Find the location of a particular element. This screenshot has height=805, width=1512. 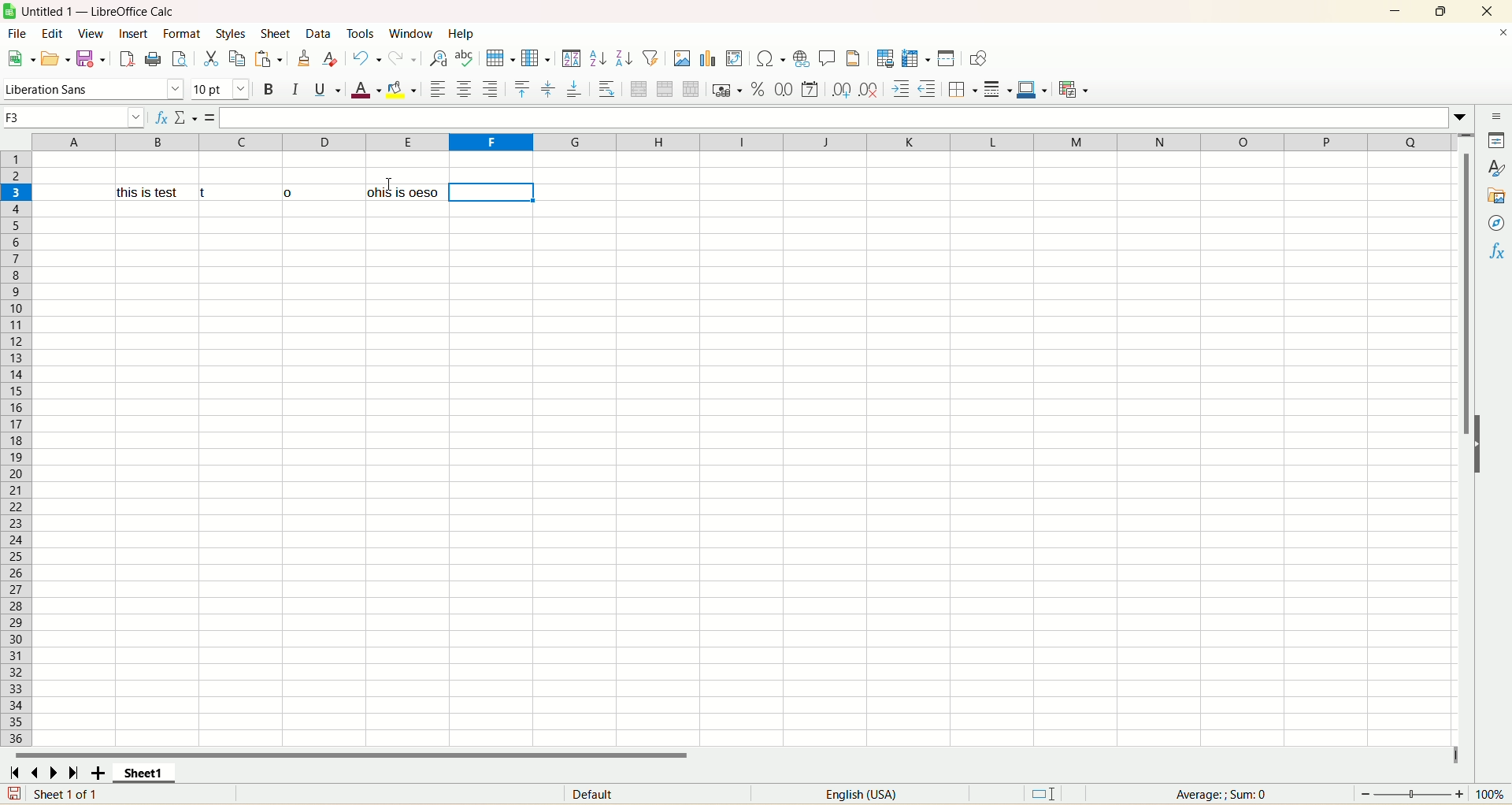

format as date is located at coordinates (810, 91).